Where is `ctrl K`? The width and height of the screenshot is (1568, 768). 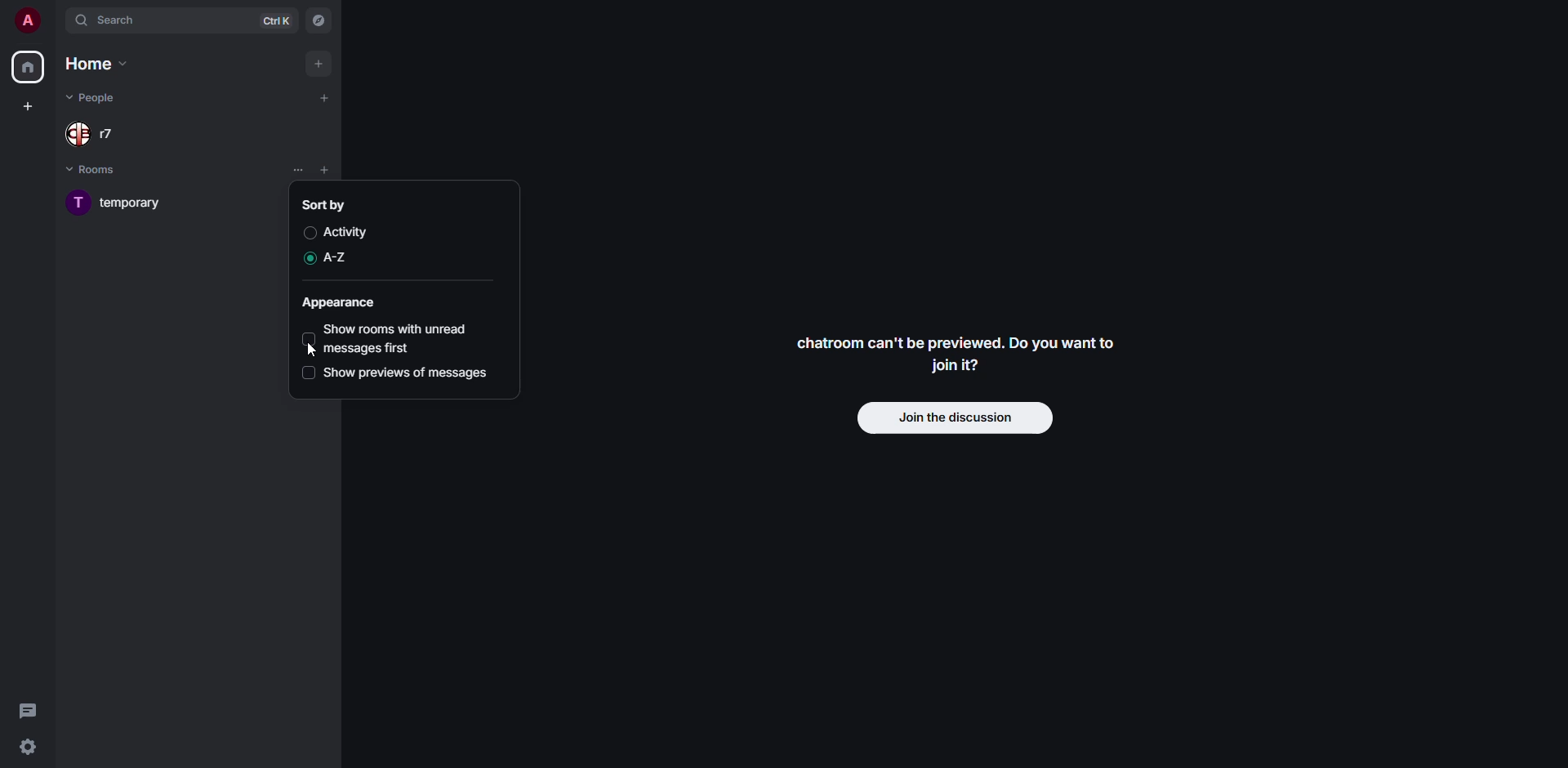 ctrl K is located at coordinates (276, 20).